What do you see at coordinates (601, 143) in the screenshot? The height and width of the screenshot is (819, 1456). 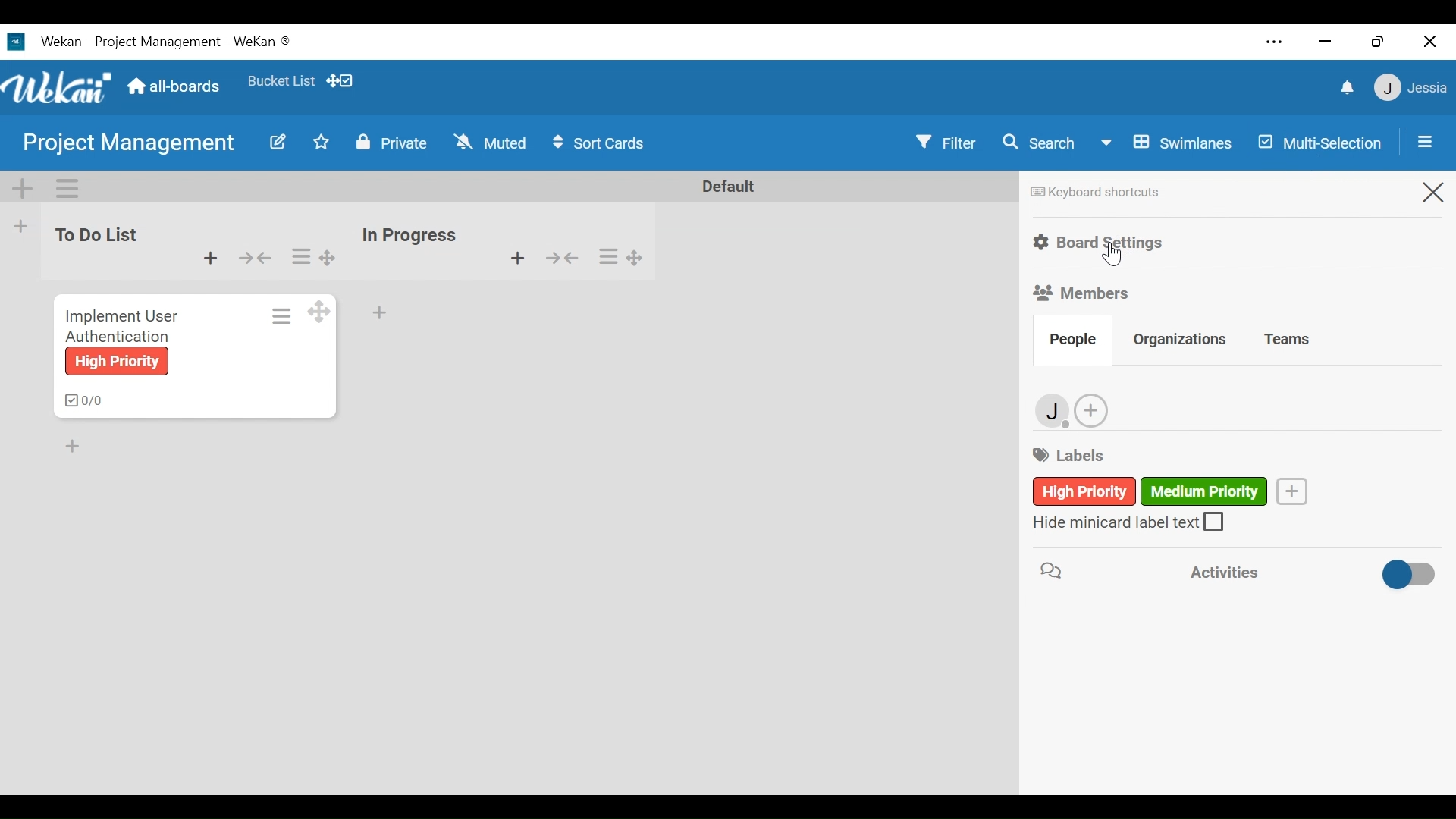 I see `Sort Cards` at bounding box center [601, 143].